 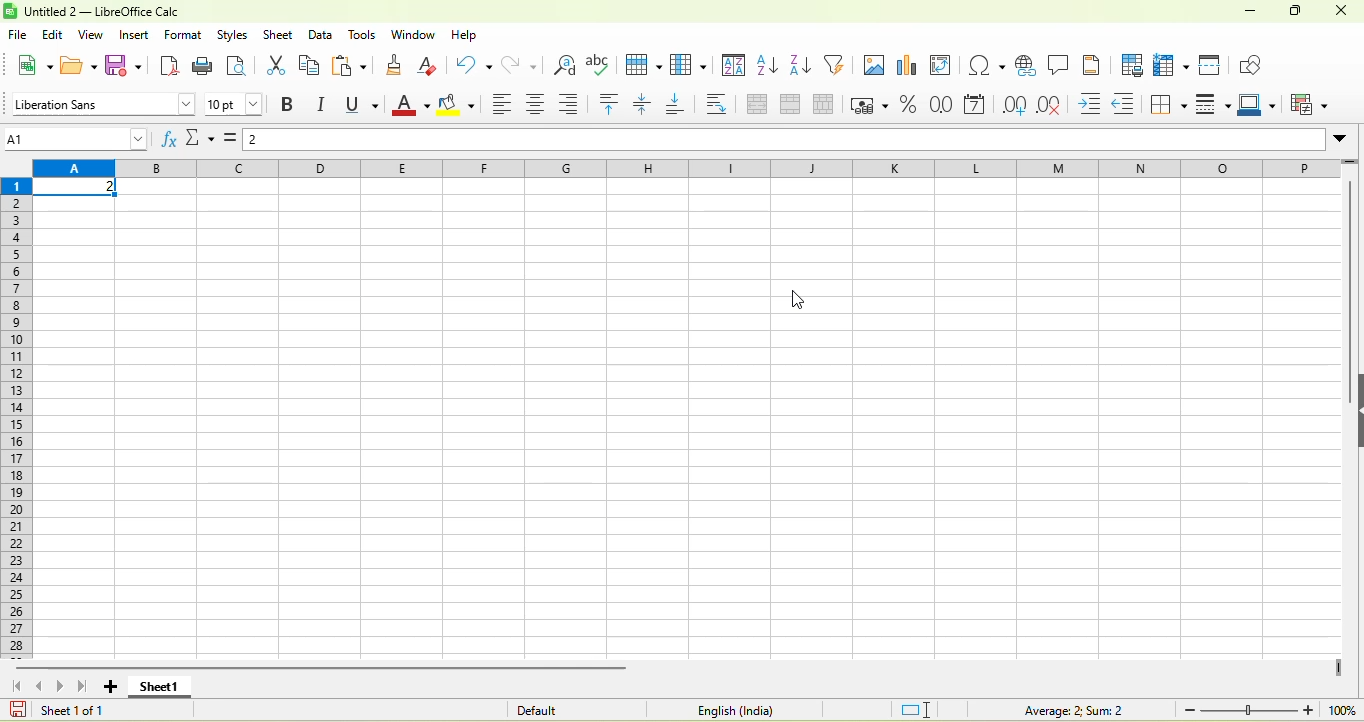 I want to click on align top, so click(x=612, y=105).